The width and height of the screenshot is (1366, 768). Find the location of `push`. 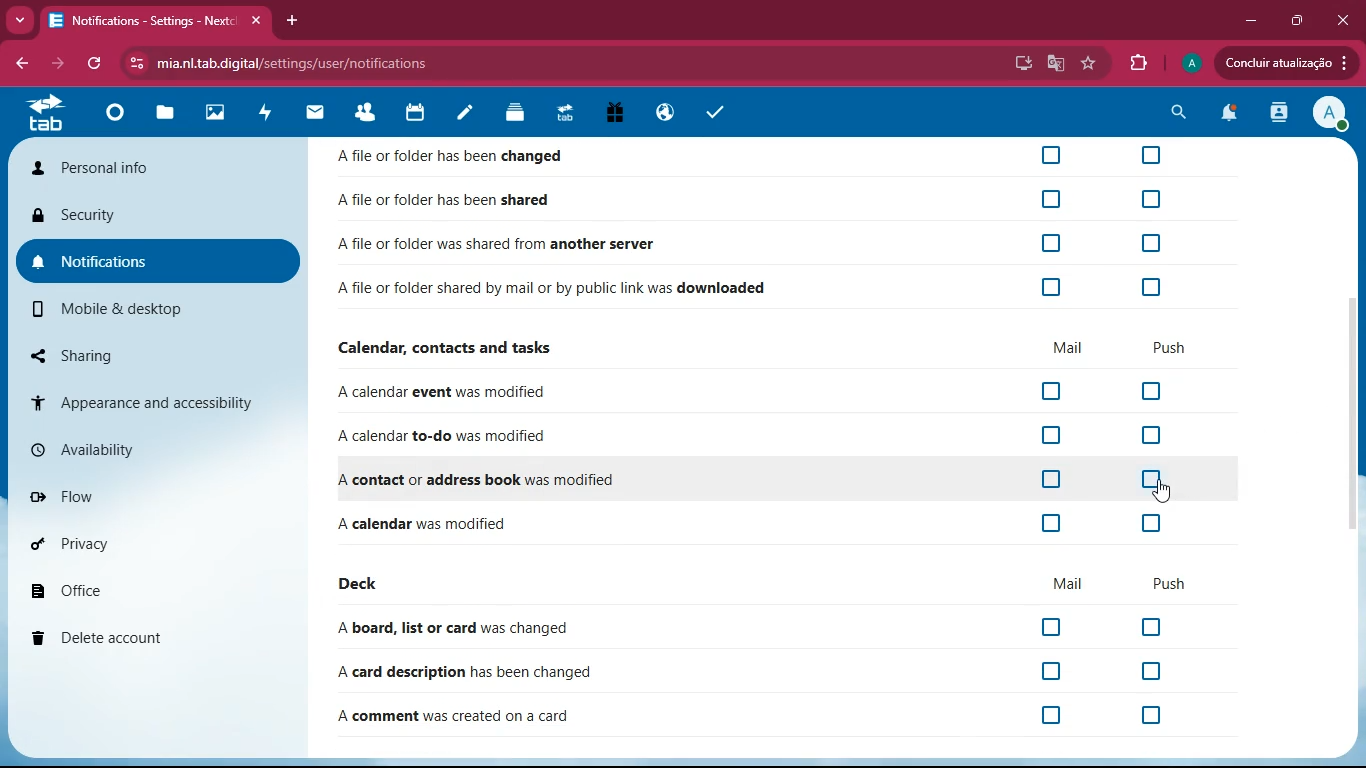

push is located at coordinates (1177, 347).